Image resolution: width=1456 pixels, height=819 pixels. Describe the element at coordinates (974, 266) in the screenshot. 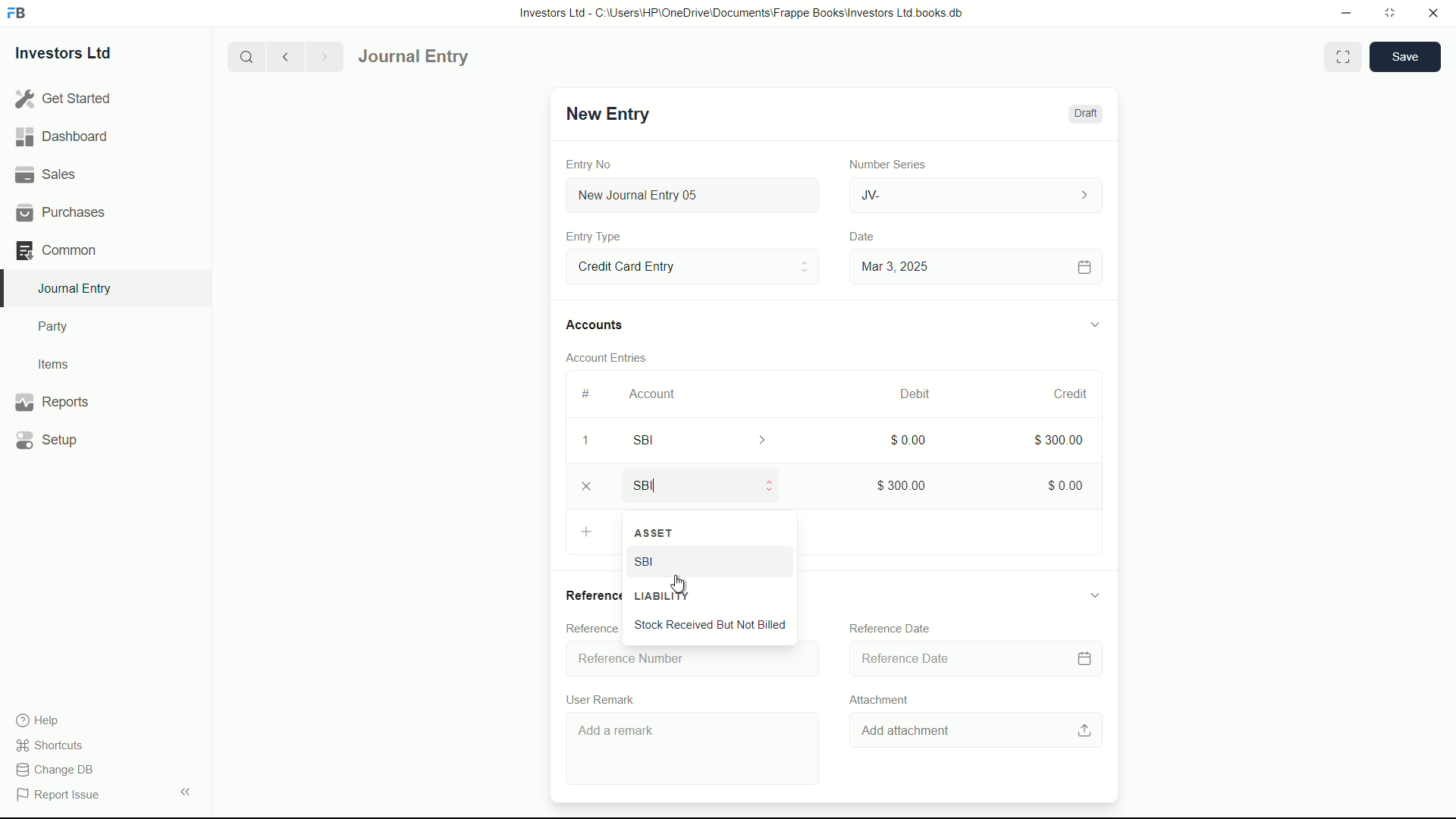

I see `Mar 3, 2025` at that location.